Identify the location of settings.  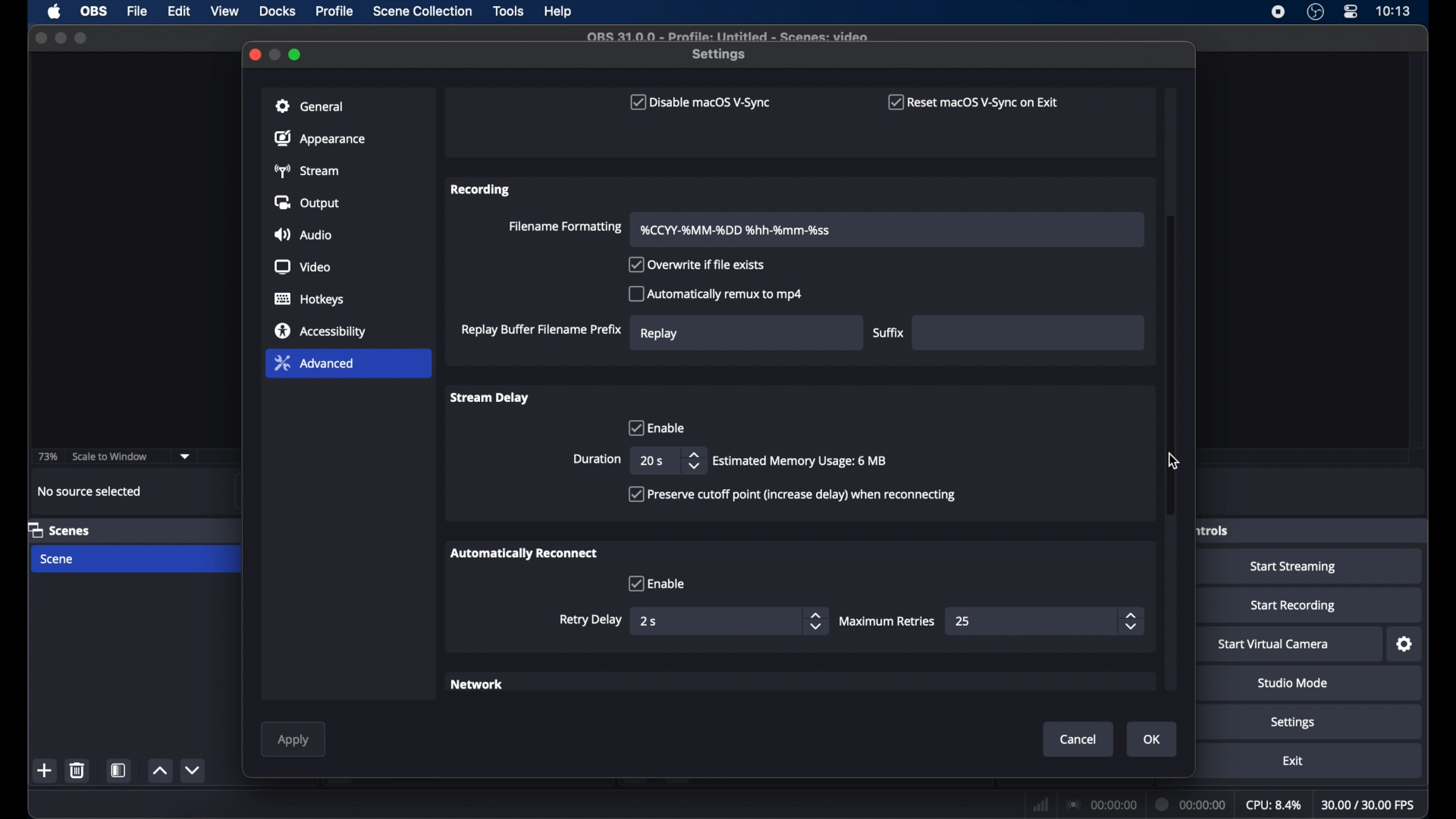
(1294, 723).